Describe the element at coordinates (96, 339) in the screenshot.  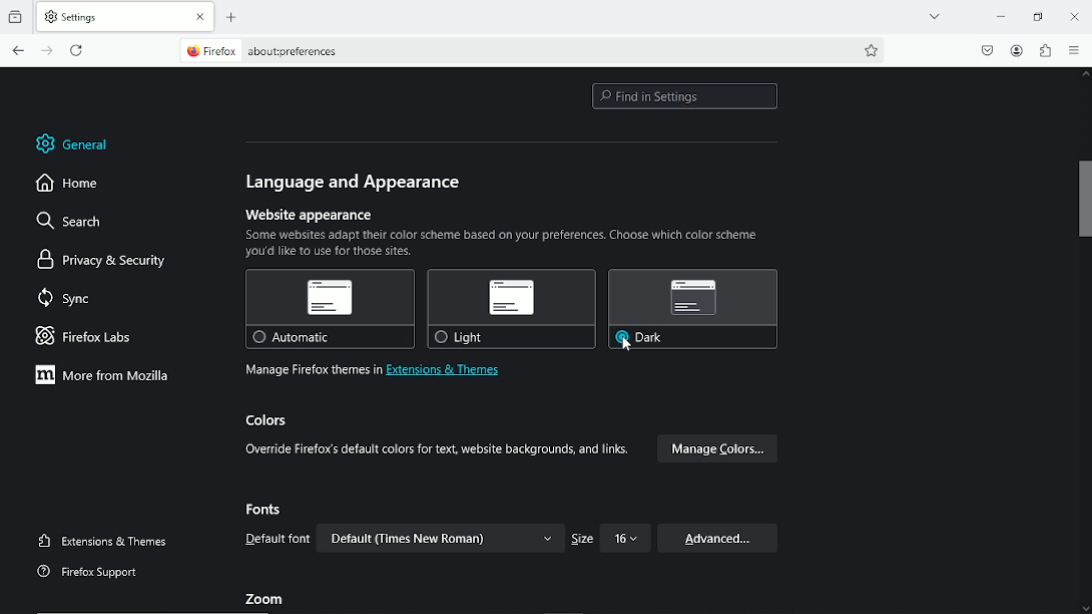
I see `Firefox labs` at that location.